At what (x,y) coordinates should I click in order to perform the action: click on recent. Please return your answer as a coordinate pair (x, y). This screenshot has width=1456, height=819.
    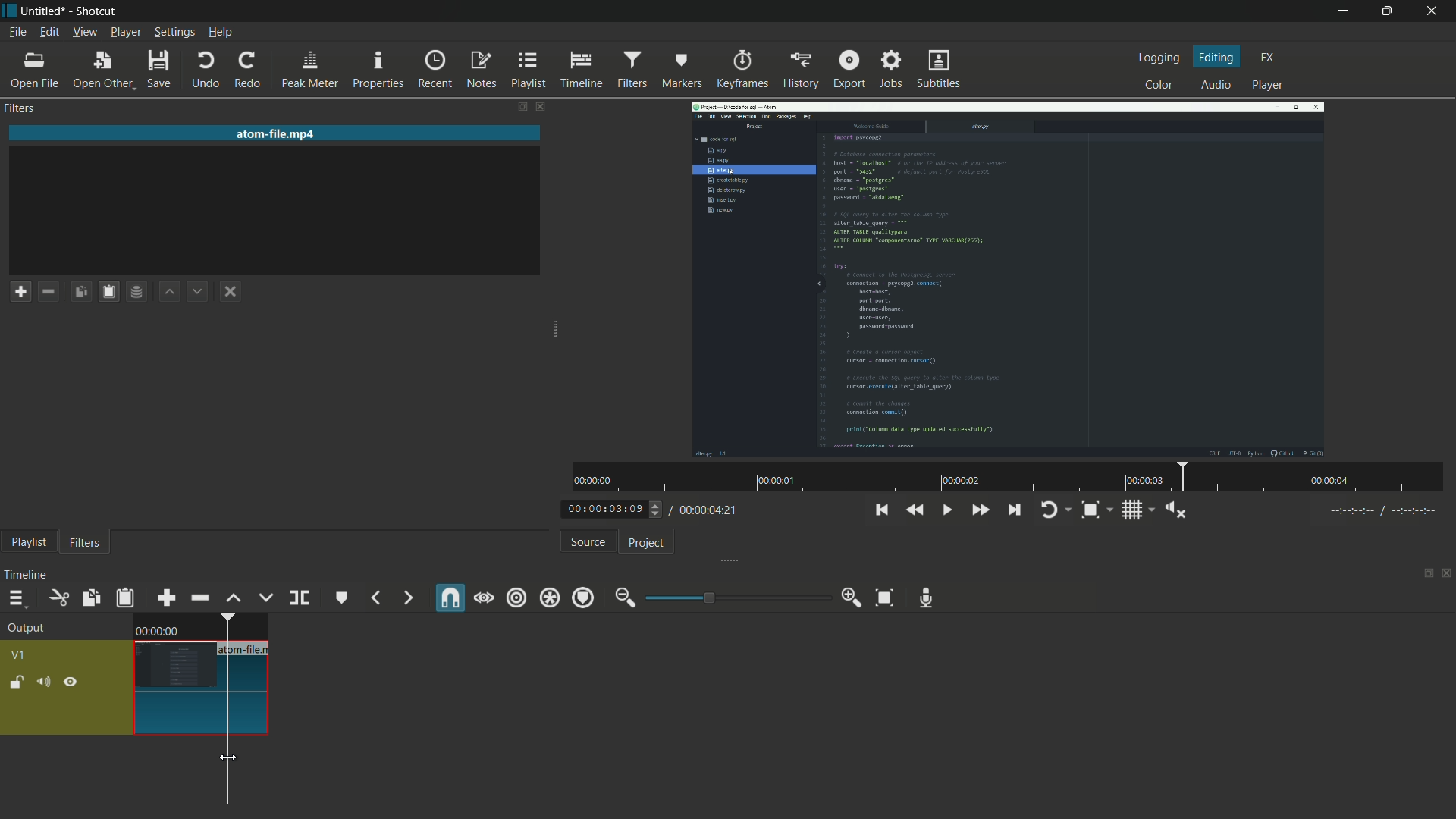
    Looking at the image, I should click on (434, 69).